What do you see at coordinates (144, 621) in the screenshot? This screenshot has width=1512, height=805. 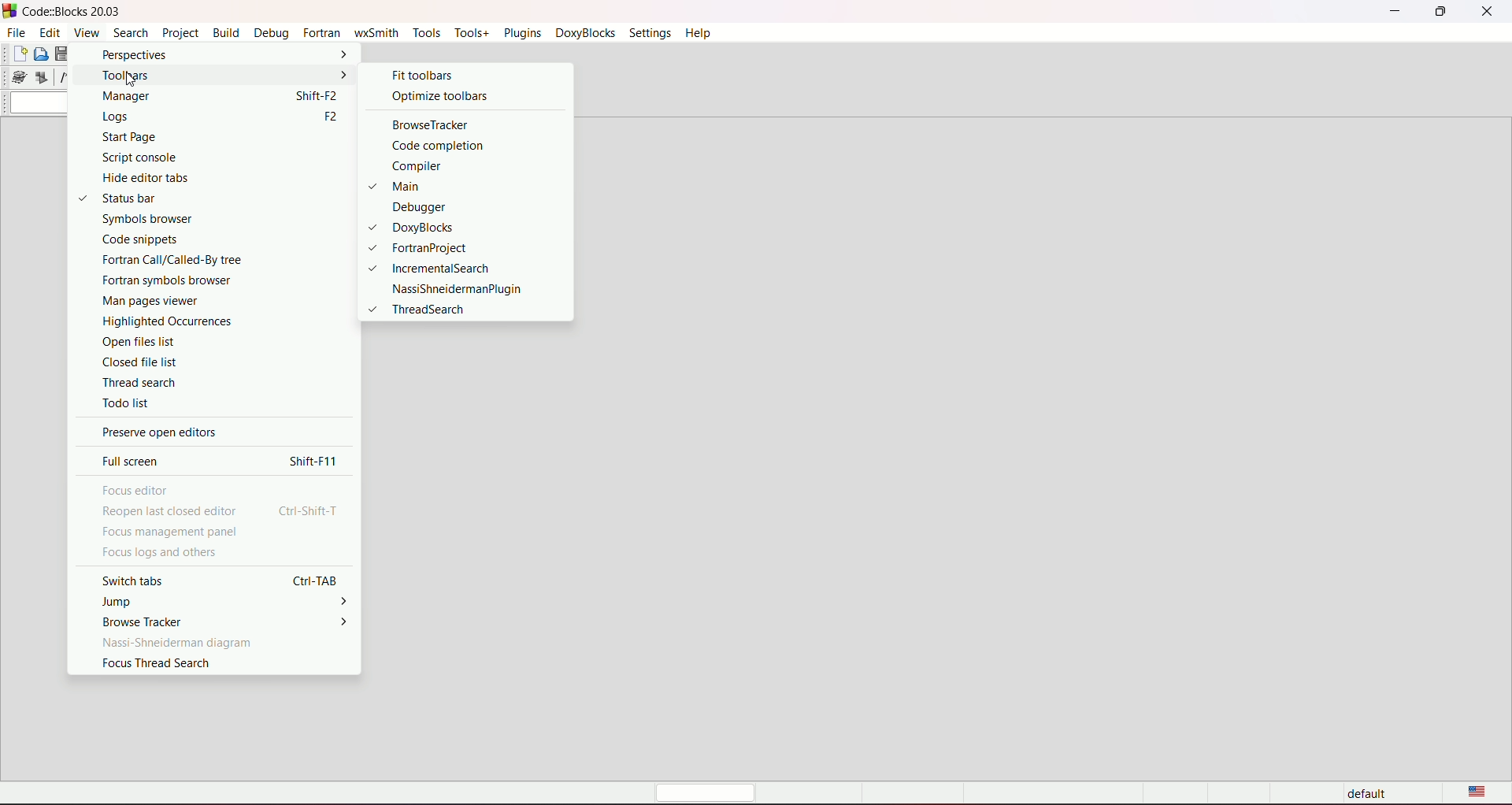 I see `browse tracker` at bounding box center [144, 621].